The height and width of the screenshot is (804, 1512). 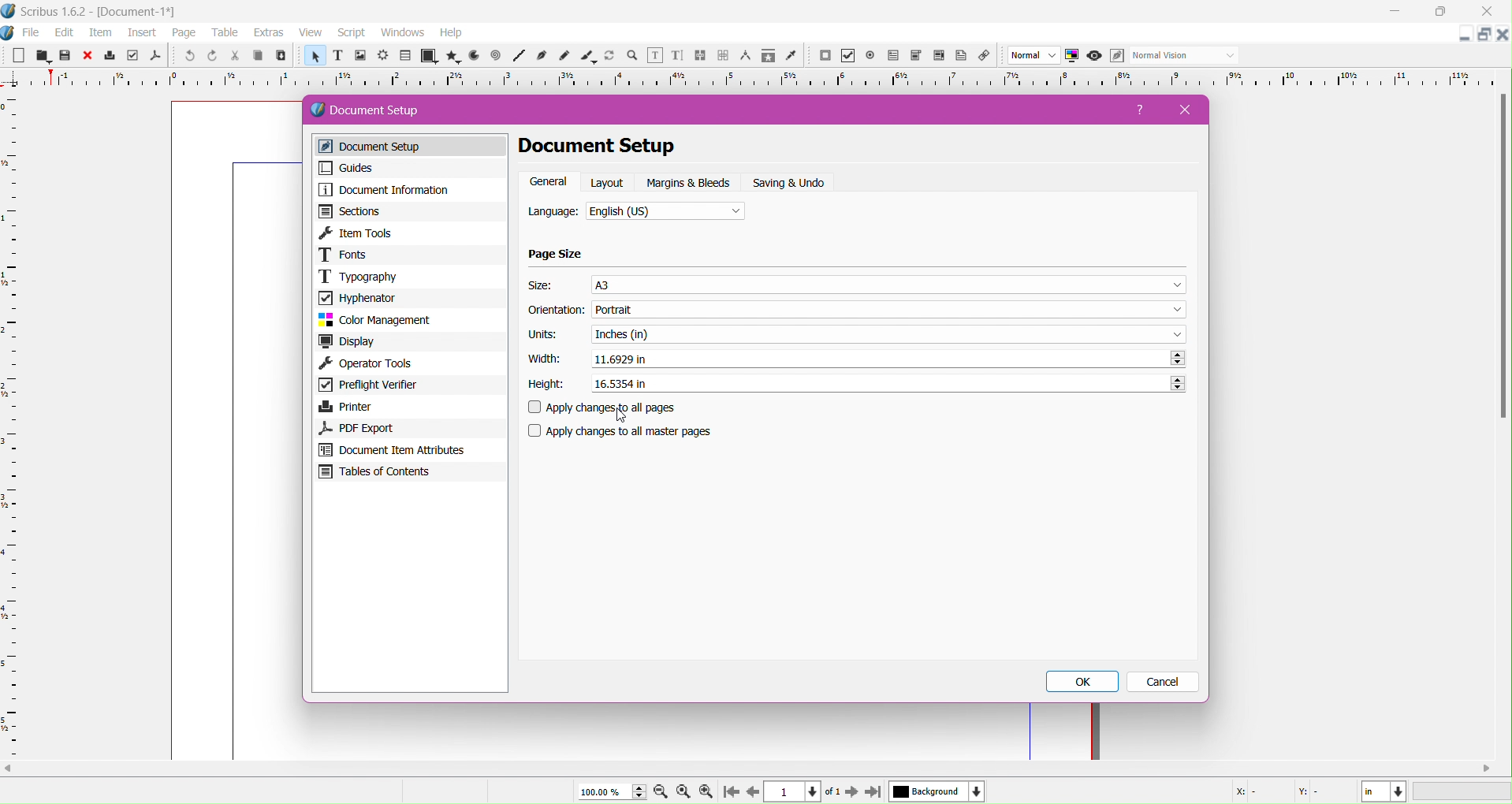 What do you see at coordinates (553, 213) in the screenshot?
I see `Language` at bounding box center [553, 213].